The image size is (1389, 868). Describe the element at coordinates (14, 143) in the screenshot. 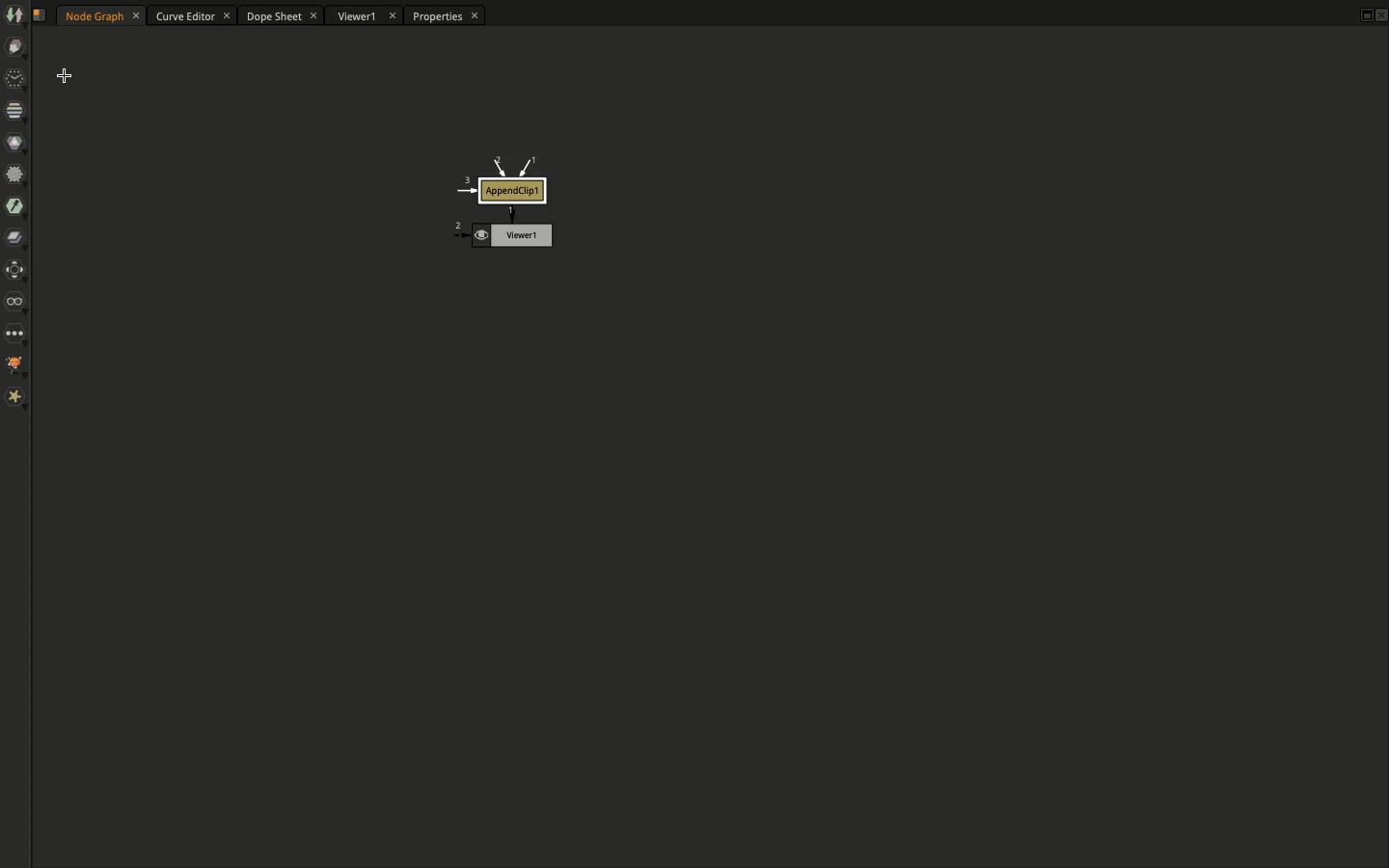

I see `Color` at that location.